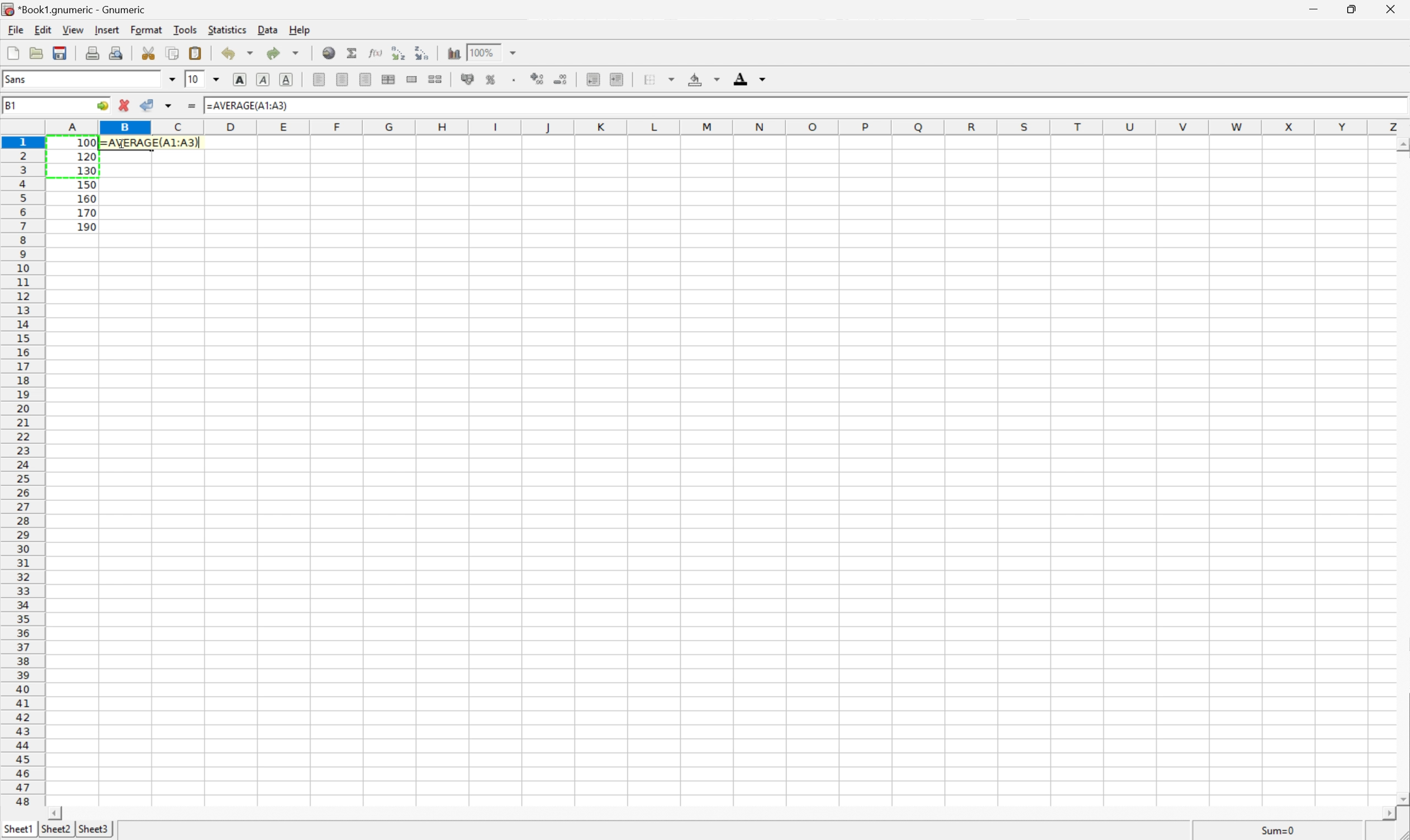  Describe the element at coordinates (87, 226) in the screenshot. I see `190` at that location.